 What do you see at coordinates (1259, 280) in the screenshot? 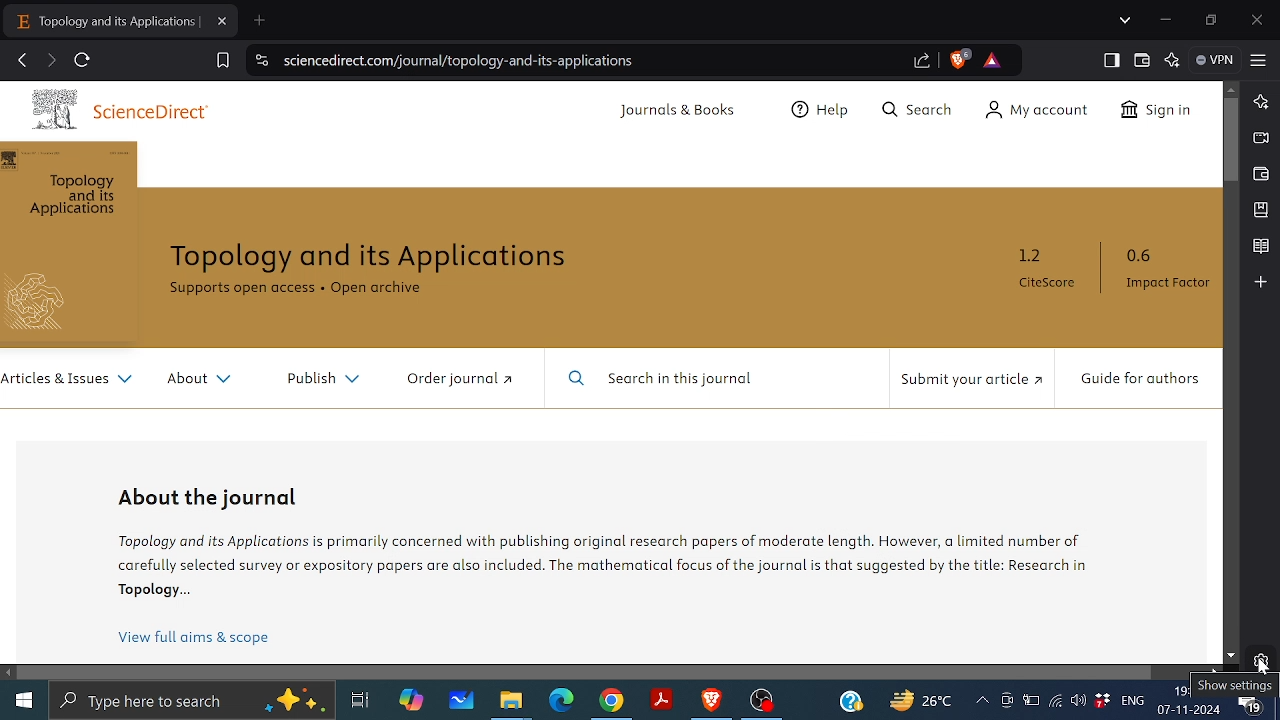
I see `Add to sidebar` at bounding box center [1259, 280].